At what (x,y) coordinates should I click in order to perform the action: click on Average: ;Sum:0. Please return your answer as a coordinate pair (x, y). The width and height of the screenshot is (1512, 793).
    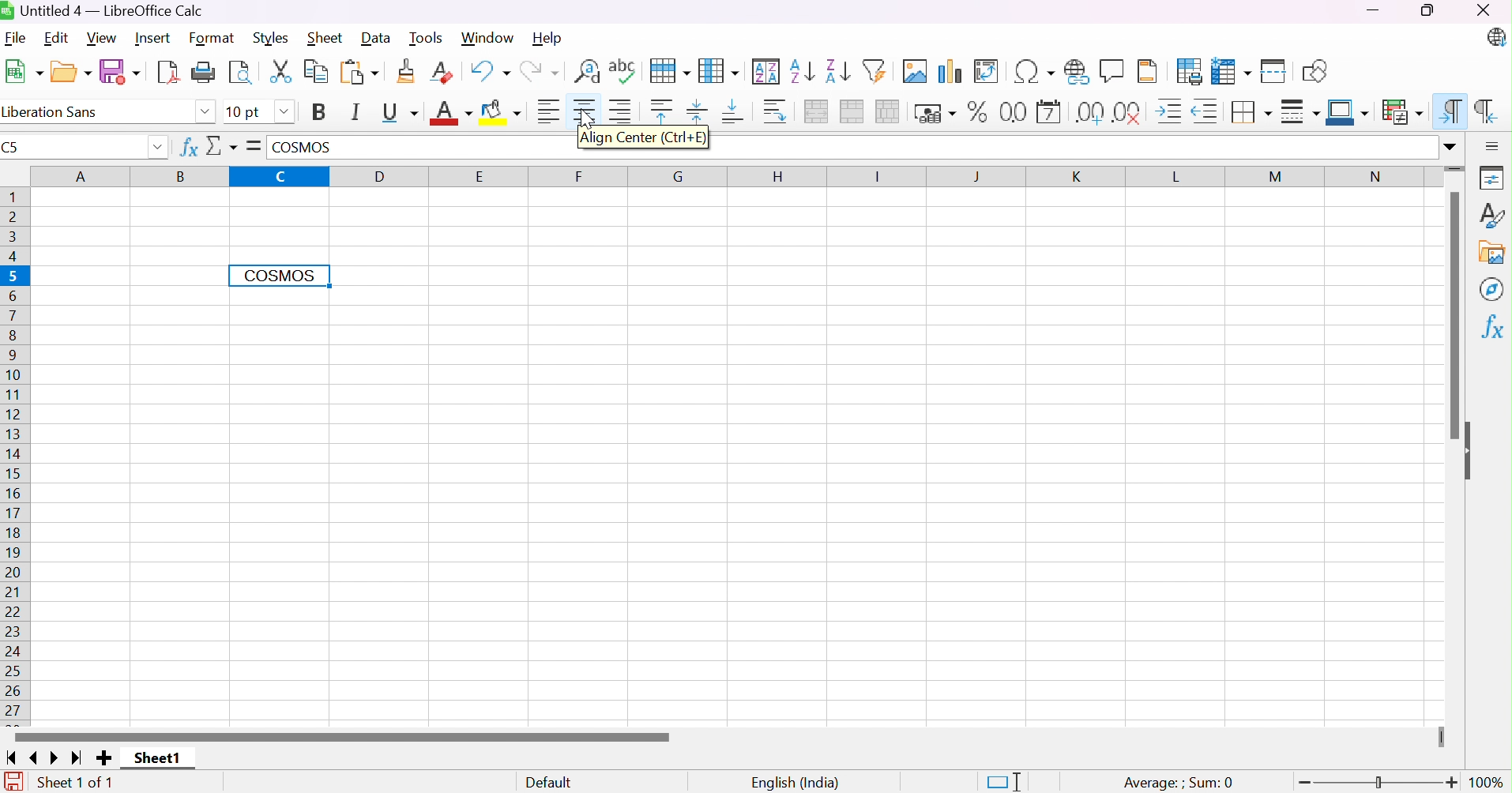
    Looking at the image, I should click on (1178, 784).